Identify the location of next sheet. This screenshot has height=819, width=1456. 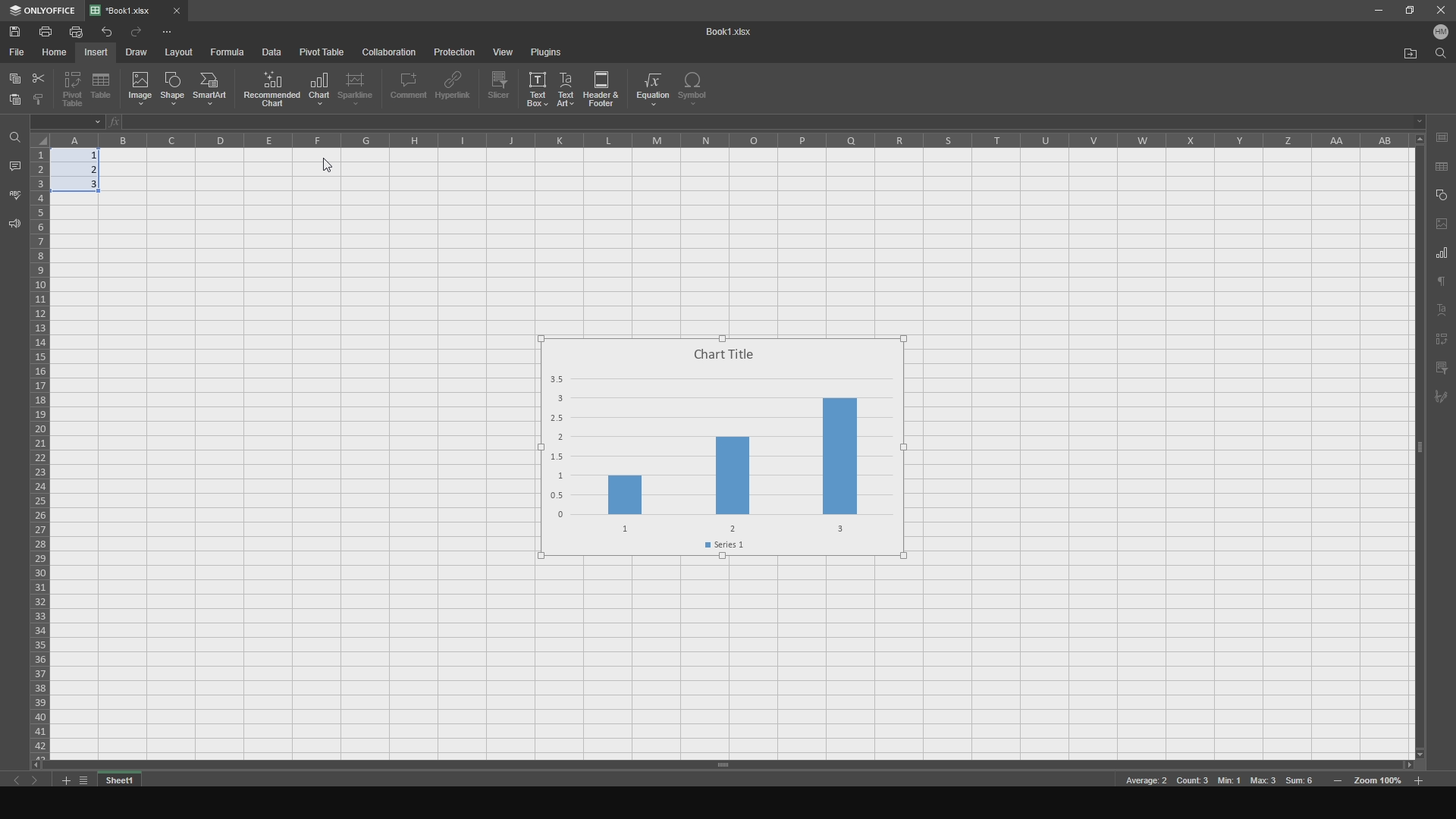
(36, 782).